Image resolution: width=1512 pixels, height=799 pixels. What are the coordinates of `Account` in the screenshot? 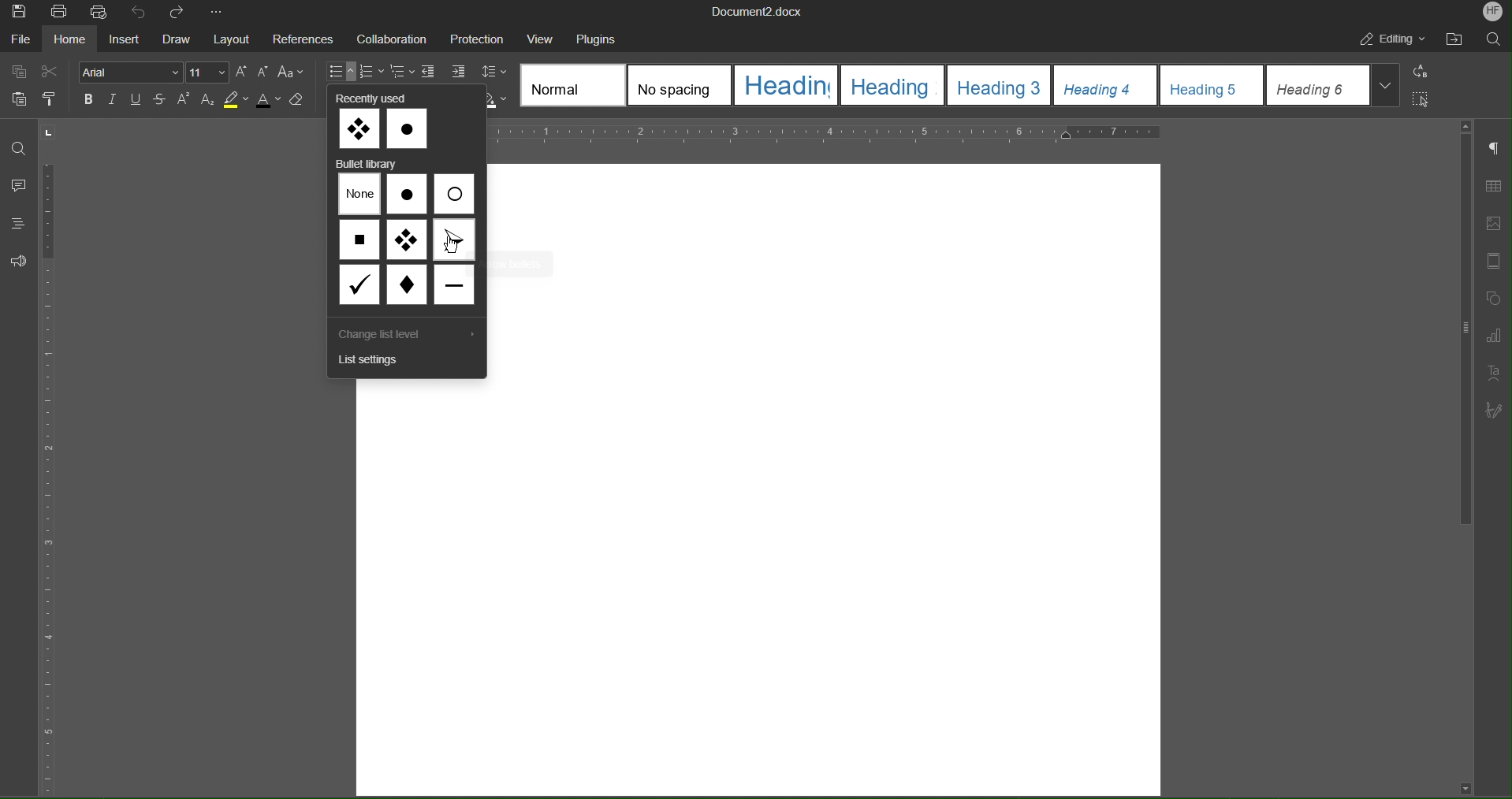 It's located at (1494, 12).